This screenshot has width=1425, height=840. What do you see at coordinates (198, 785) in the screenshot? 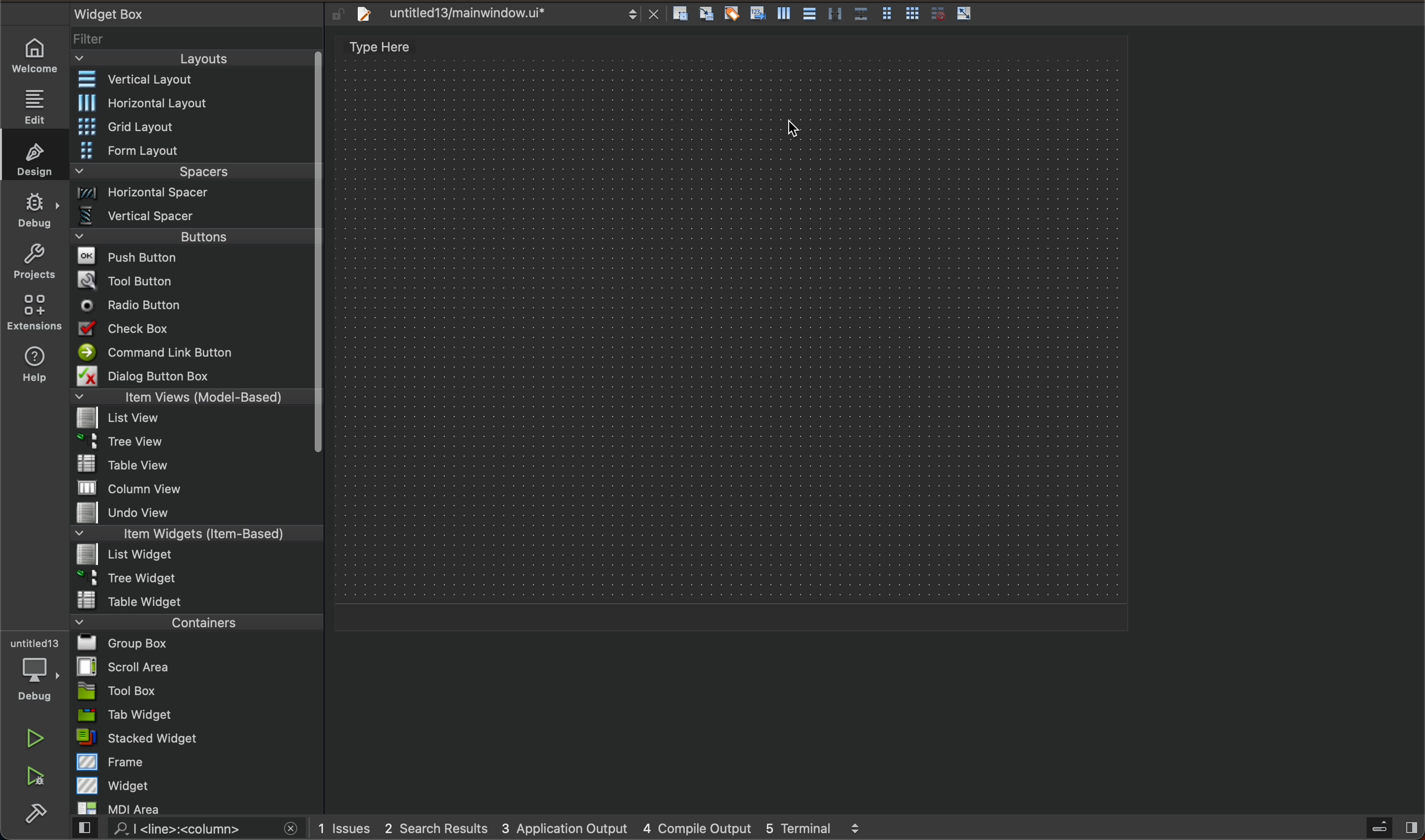
I see `widget` at bounding box center [198, 785].